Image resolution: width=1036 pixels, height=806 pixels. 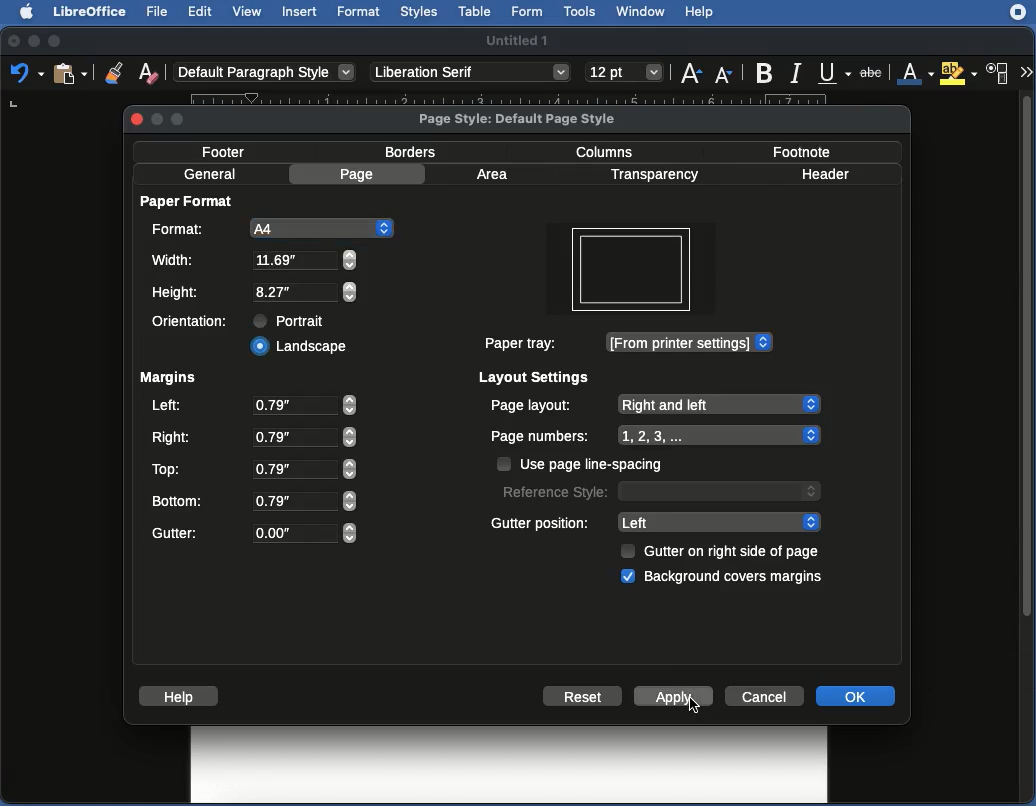 I want to click on Bold, so click(x=765, y=72).